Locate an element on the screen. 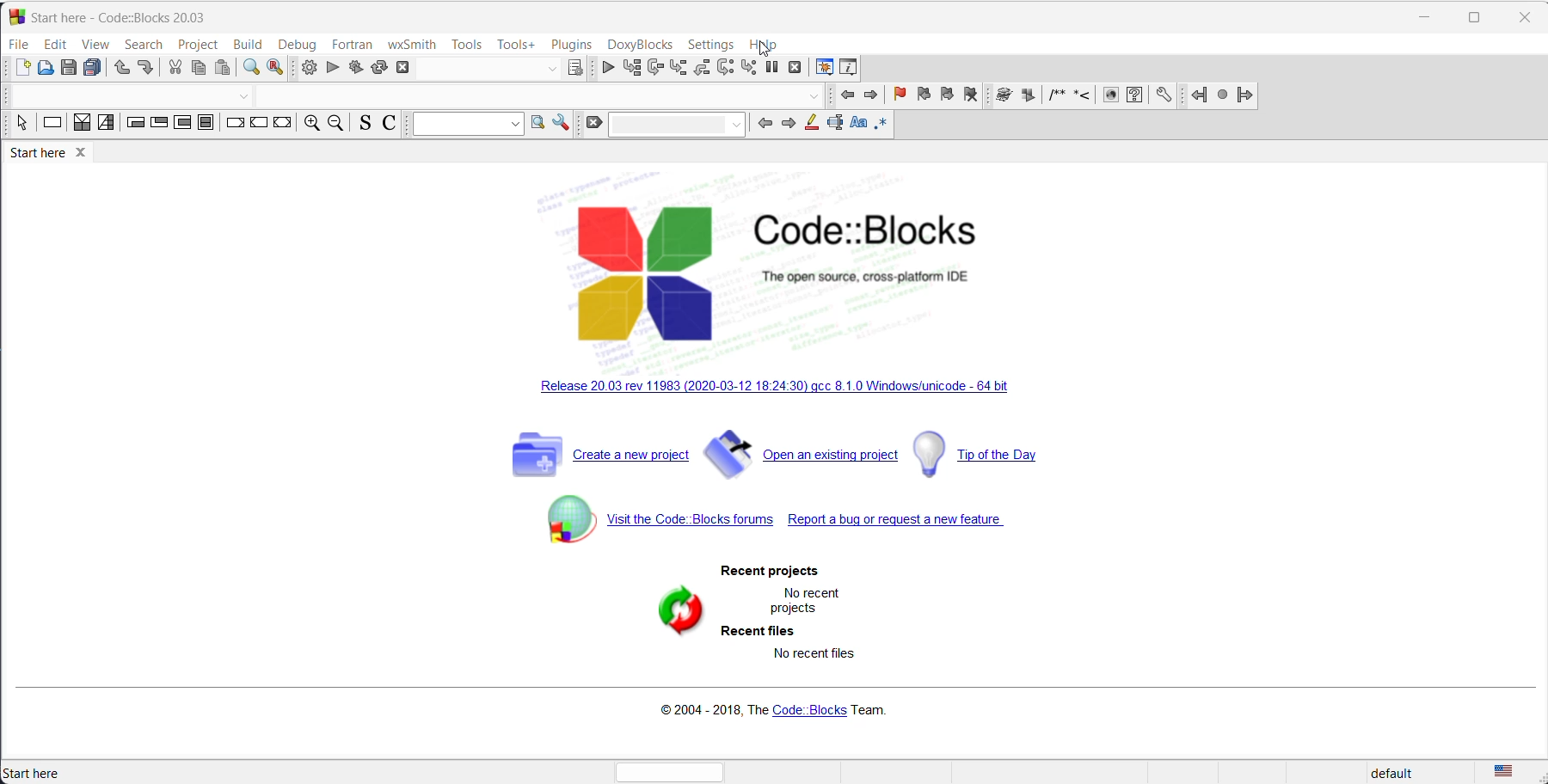 The height and width of the screenshot is (784, 1548). dropdown button is located at coordinates (814, 99).